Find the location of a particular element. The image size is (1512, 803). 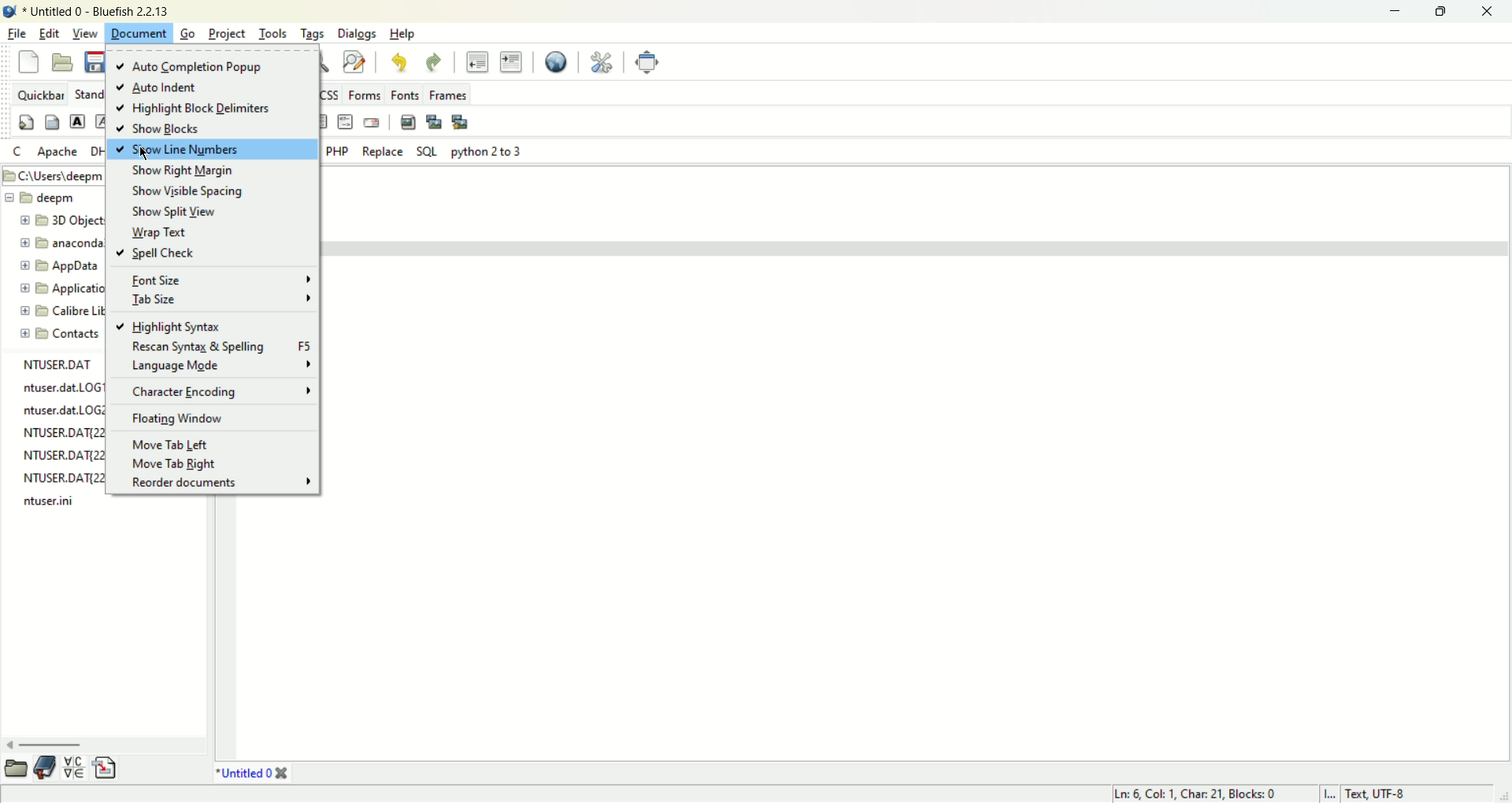

tags is located at coordinates (313, 33).